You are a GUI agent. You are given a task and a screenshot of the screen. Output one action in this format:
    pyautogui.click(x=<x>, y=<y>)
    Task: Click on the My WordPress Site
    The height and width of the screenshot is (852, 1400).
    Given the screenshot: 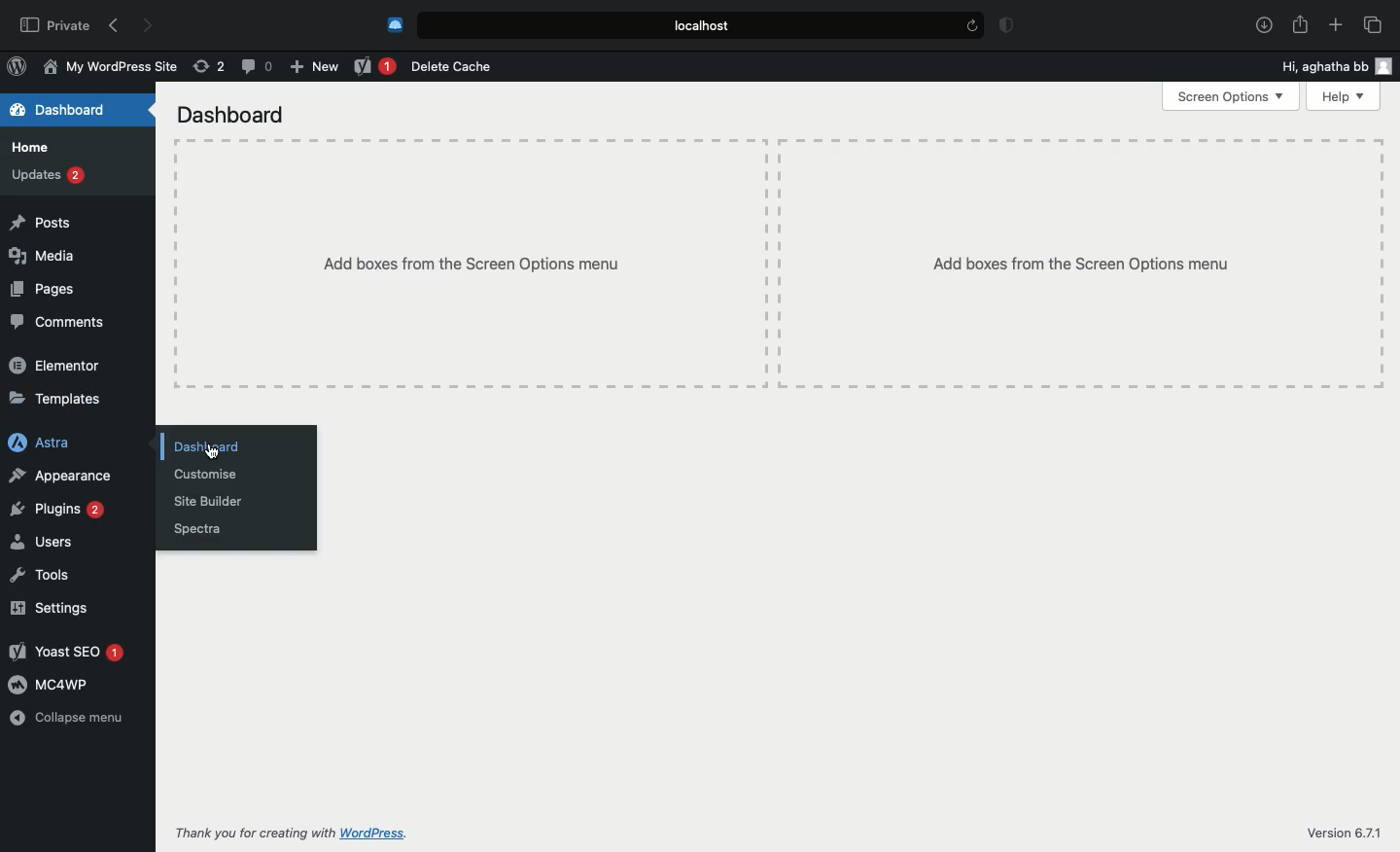 What is the action you would take?
    pyautogui.click(x=110, y=66)
    